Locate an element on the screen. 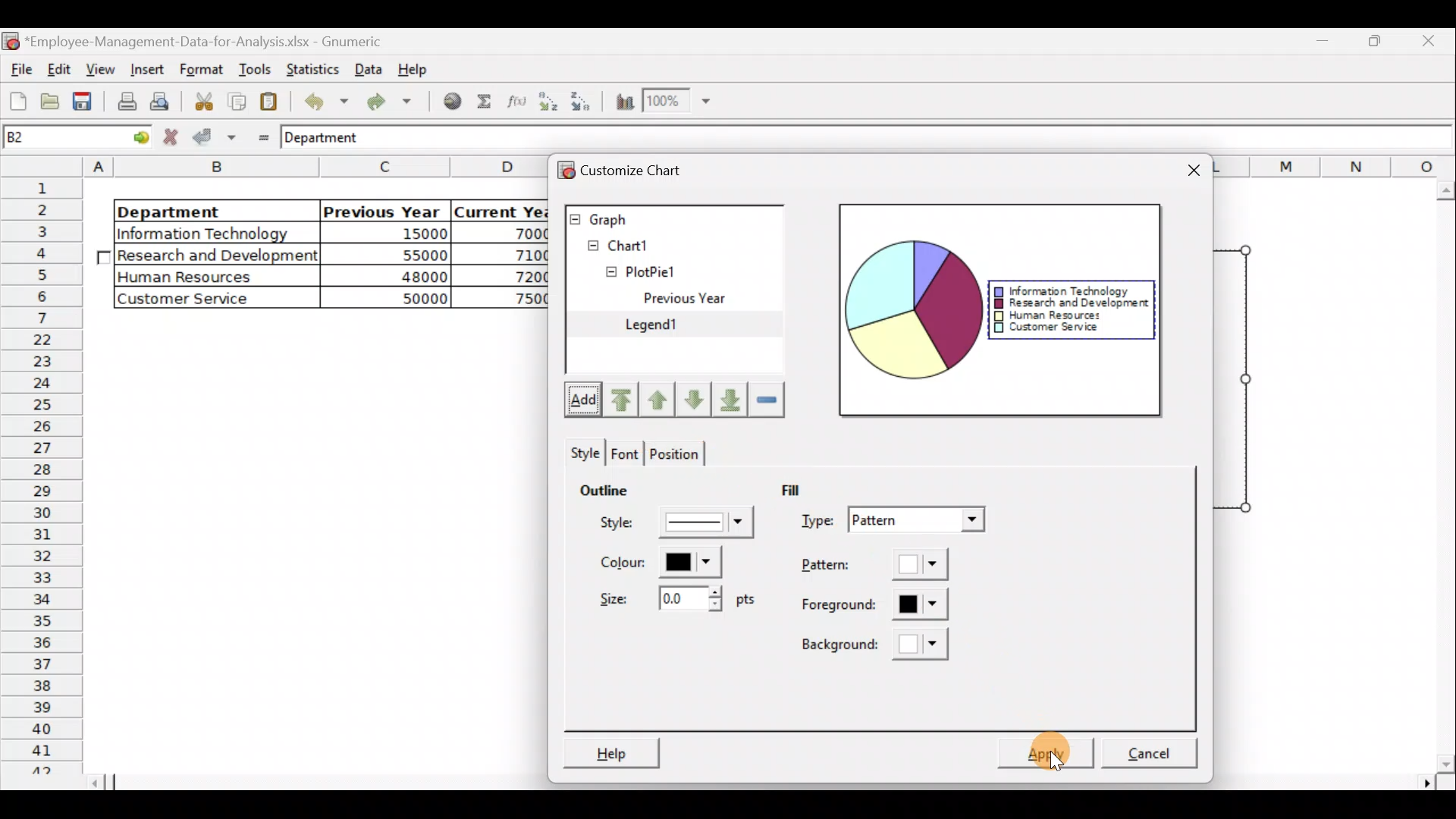 Image resolution: width=1456 pixels, height=819 pixels. Cursor on Apply is located at coordinates (1043, 742).